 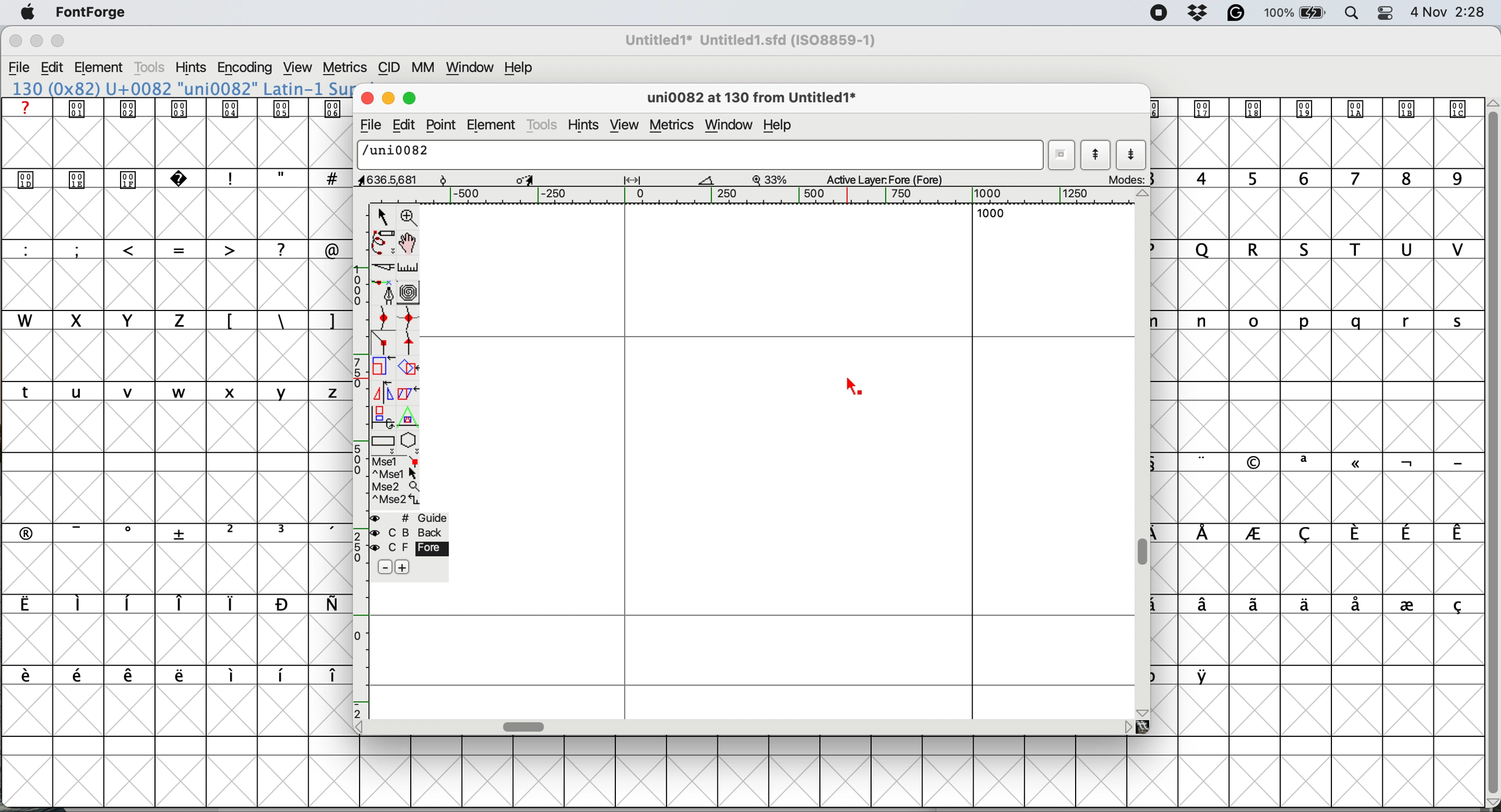 What do you see at coordinates (440, 125) in the screenshot?
I see `point` at bounding box center [440, 125].